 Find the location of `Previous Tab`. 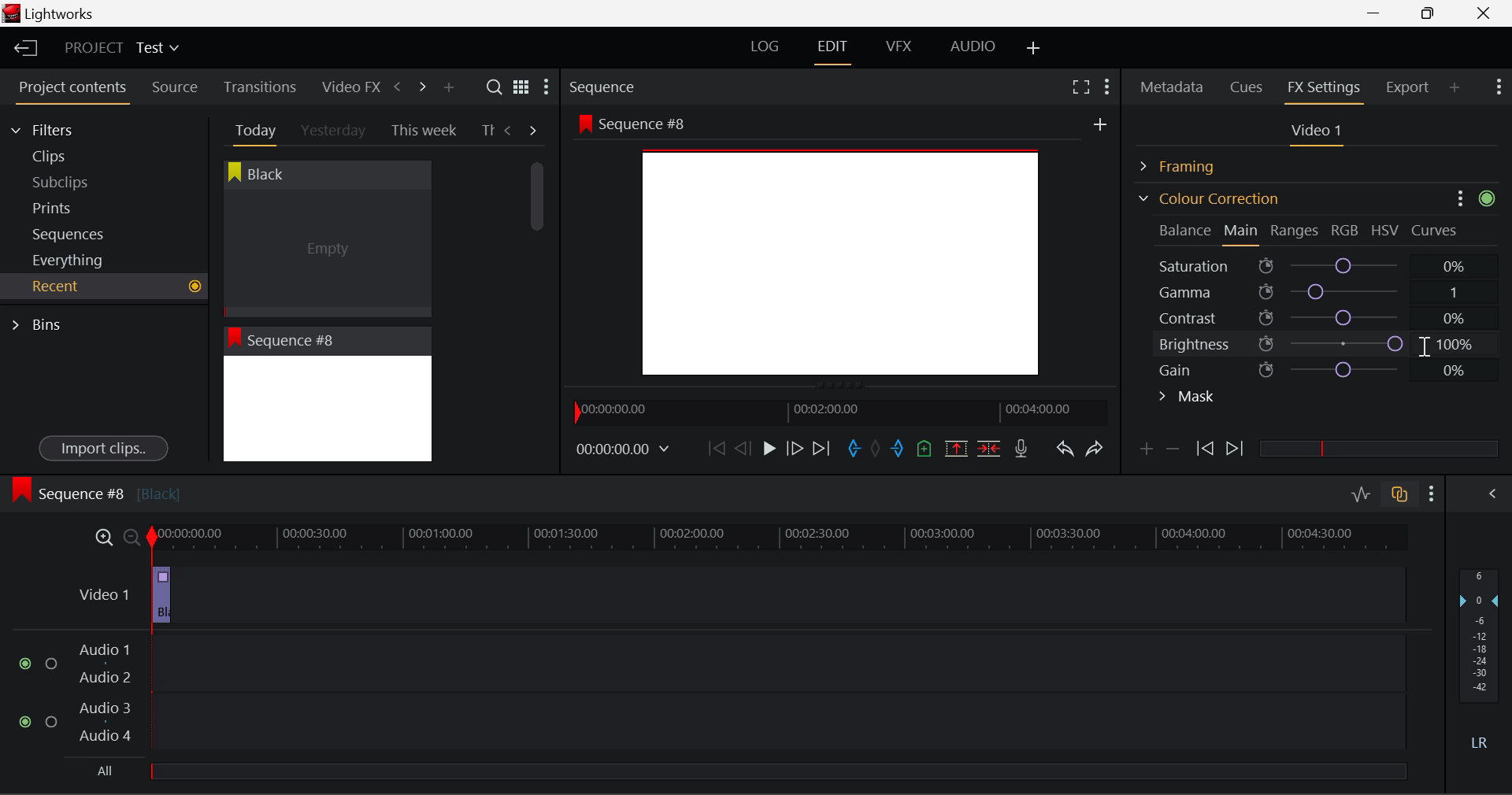

Previous Tab is located at coordinates (510, 130).